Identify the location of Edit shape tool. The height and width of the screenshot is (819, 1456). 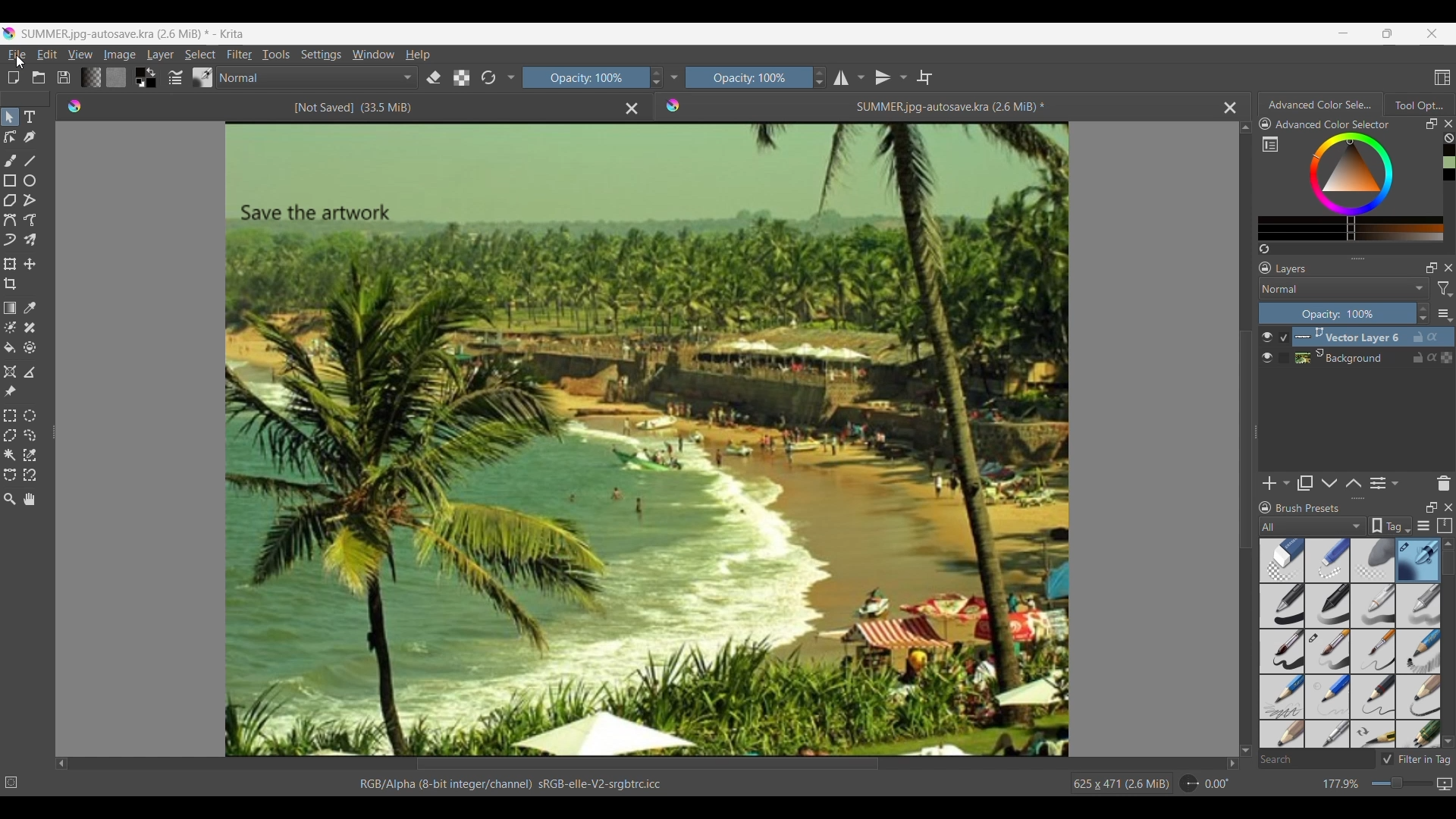
(10, 137).